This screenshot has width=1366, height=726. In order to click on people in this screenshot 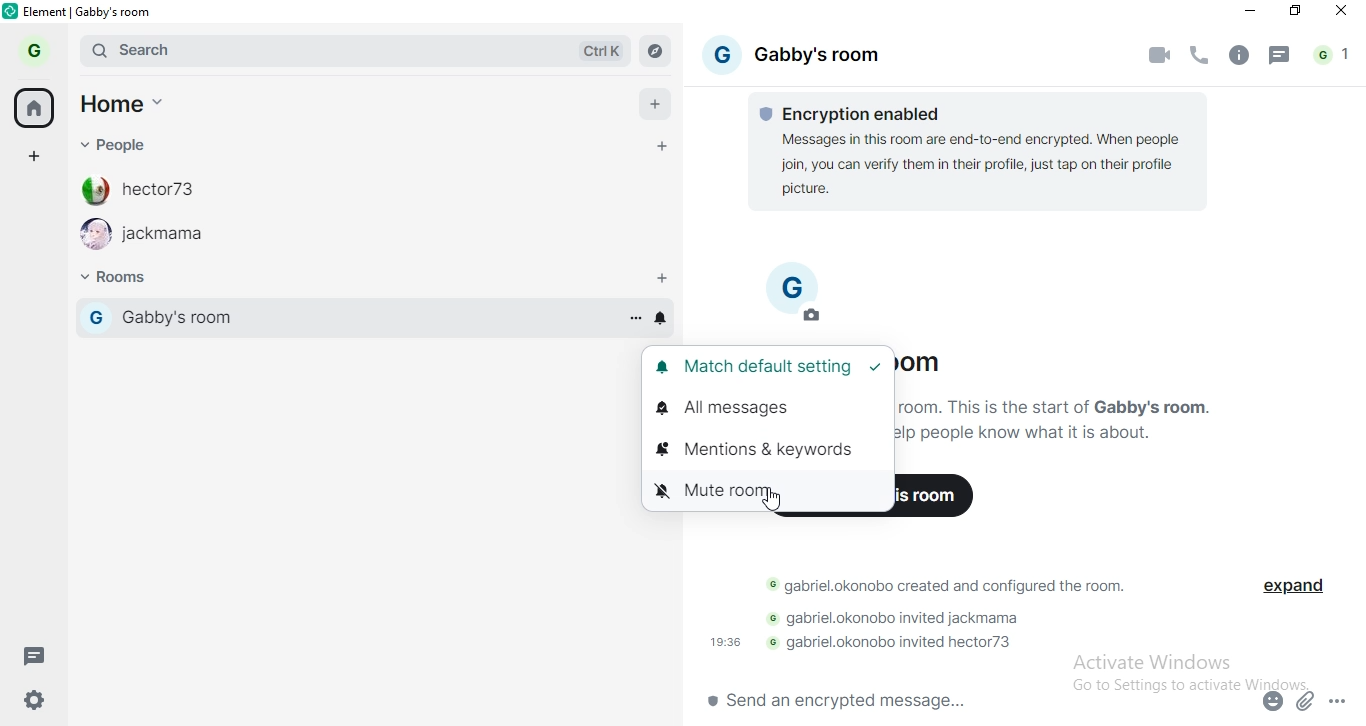, I will do `click(120, 148)`.